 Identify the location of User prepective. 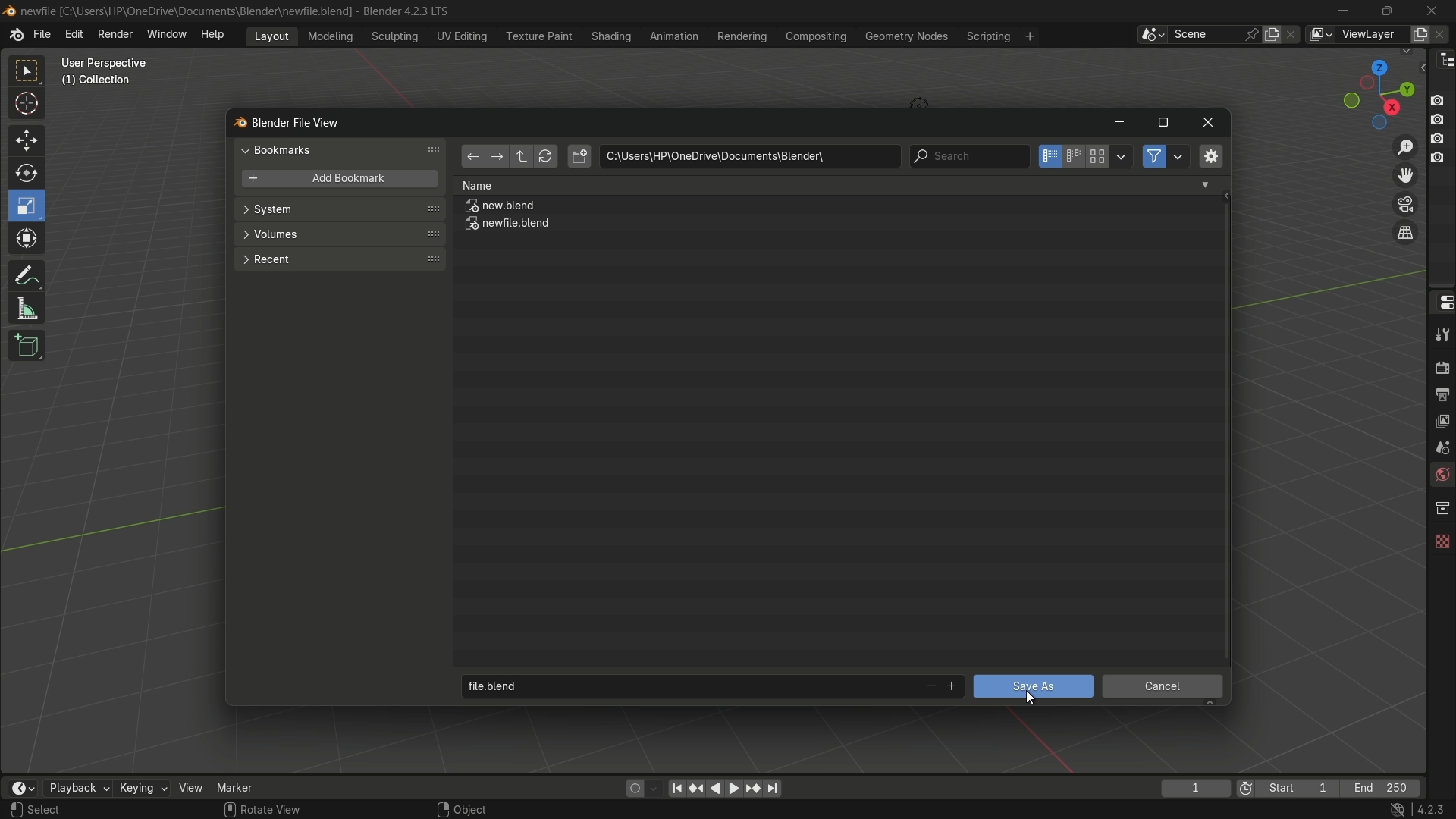
(111, 63).